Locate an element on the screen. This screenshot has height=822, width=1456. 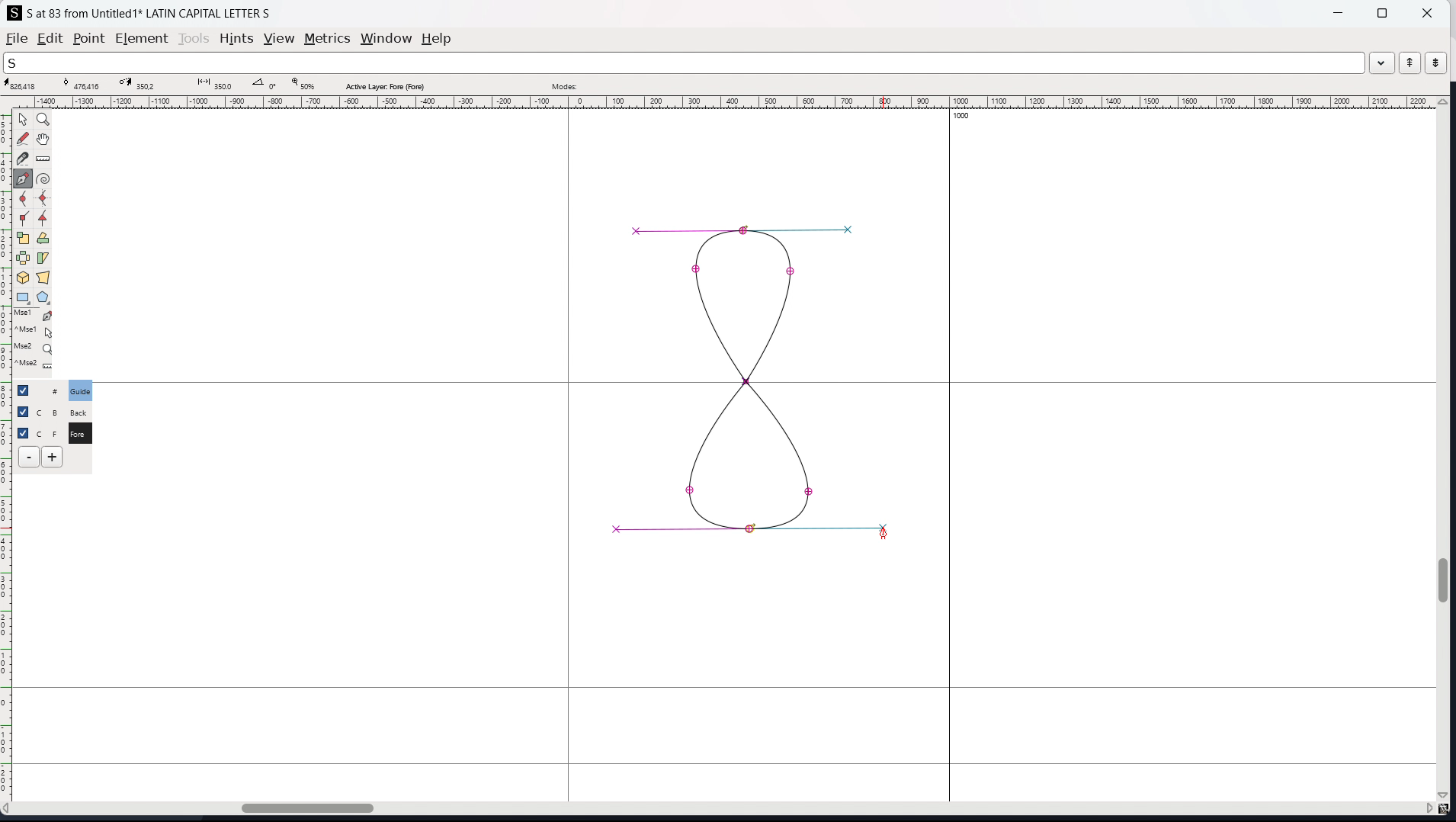
draw a freehand curve is located at coordinates (23, 139).